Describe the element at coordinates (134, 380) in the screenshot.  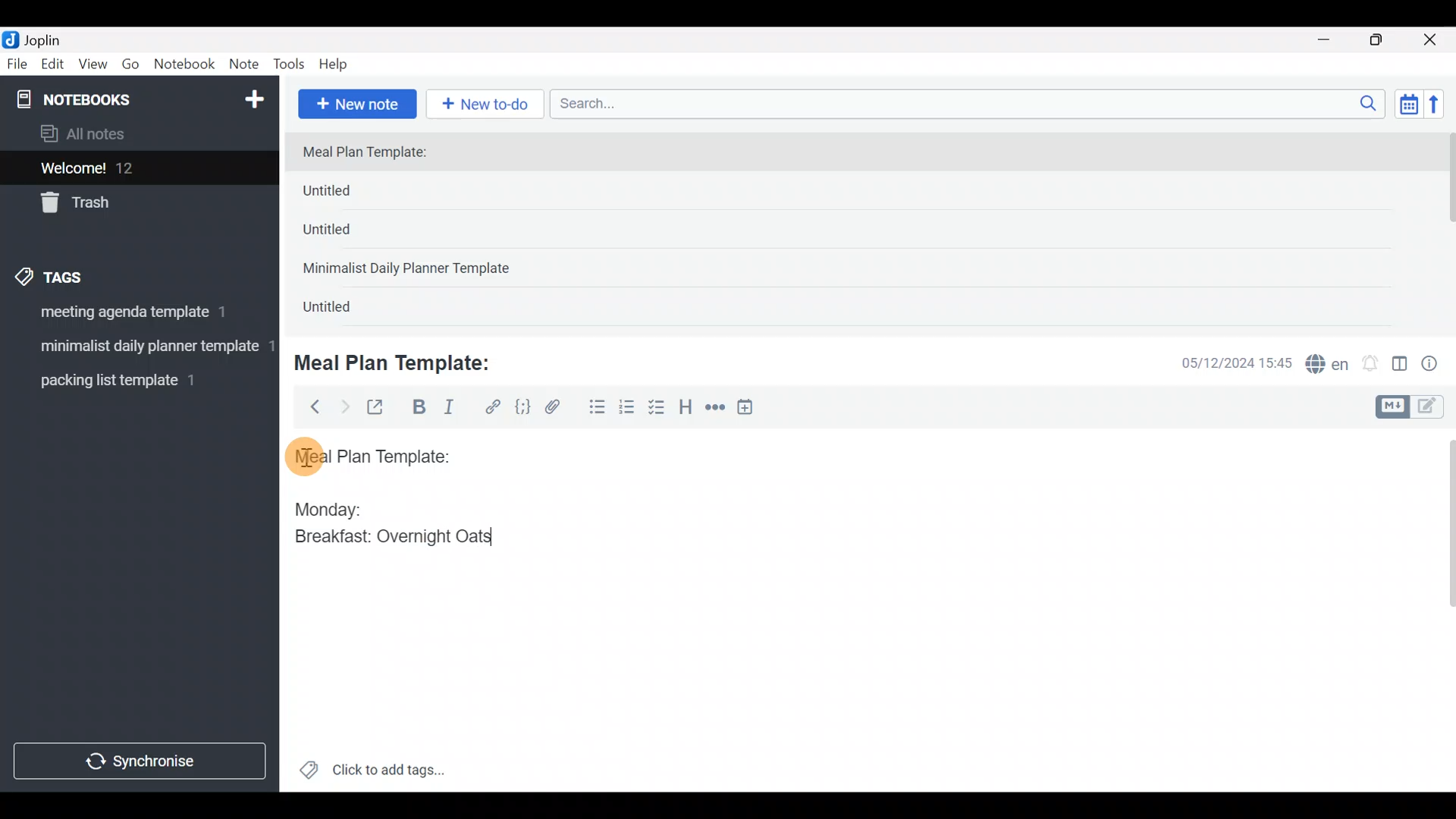
I see `Tag 3` at that location.